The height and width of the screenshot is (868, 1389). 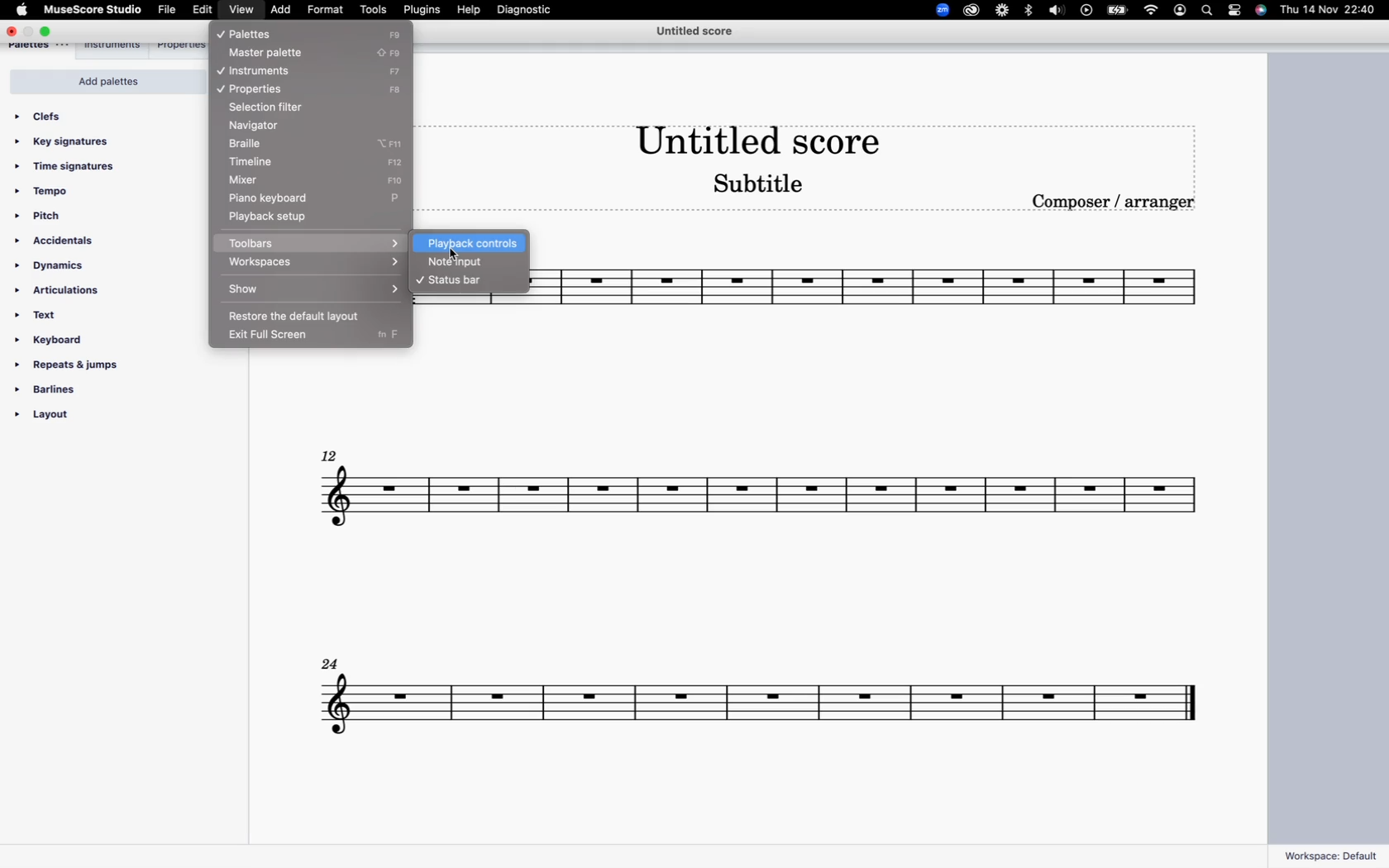 What do you see at coordinates (307, 316) in the screenshot?
I see `restore the default layout` at bounding box center [307, 316].